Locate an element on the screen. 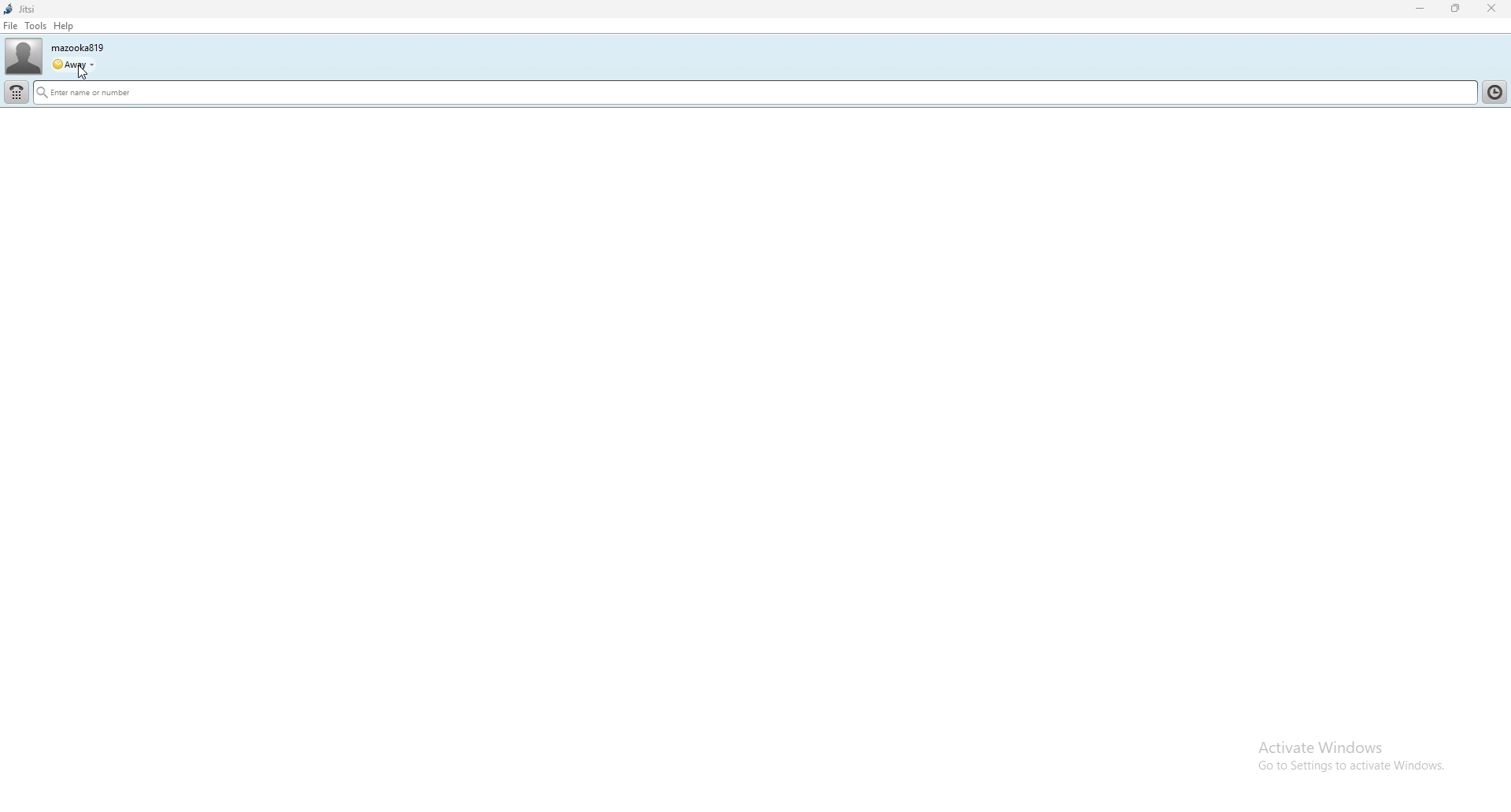 Image resolution: width=1511 pixels, height=812 pixels. cursor is located at coordinates (83, 73).